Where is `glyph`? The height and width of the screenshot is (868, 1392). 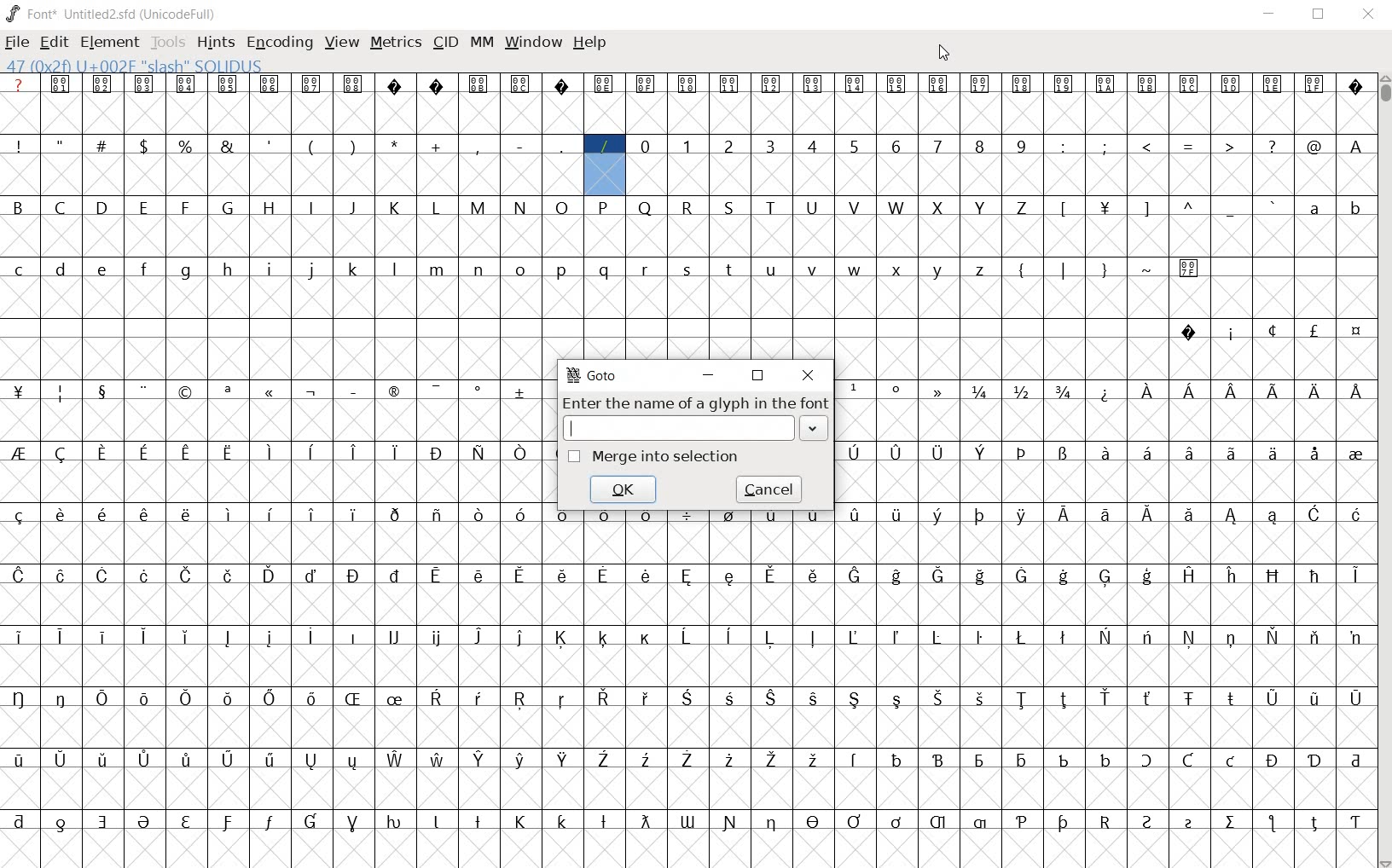
glyph is located at coordinates (186, 393).